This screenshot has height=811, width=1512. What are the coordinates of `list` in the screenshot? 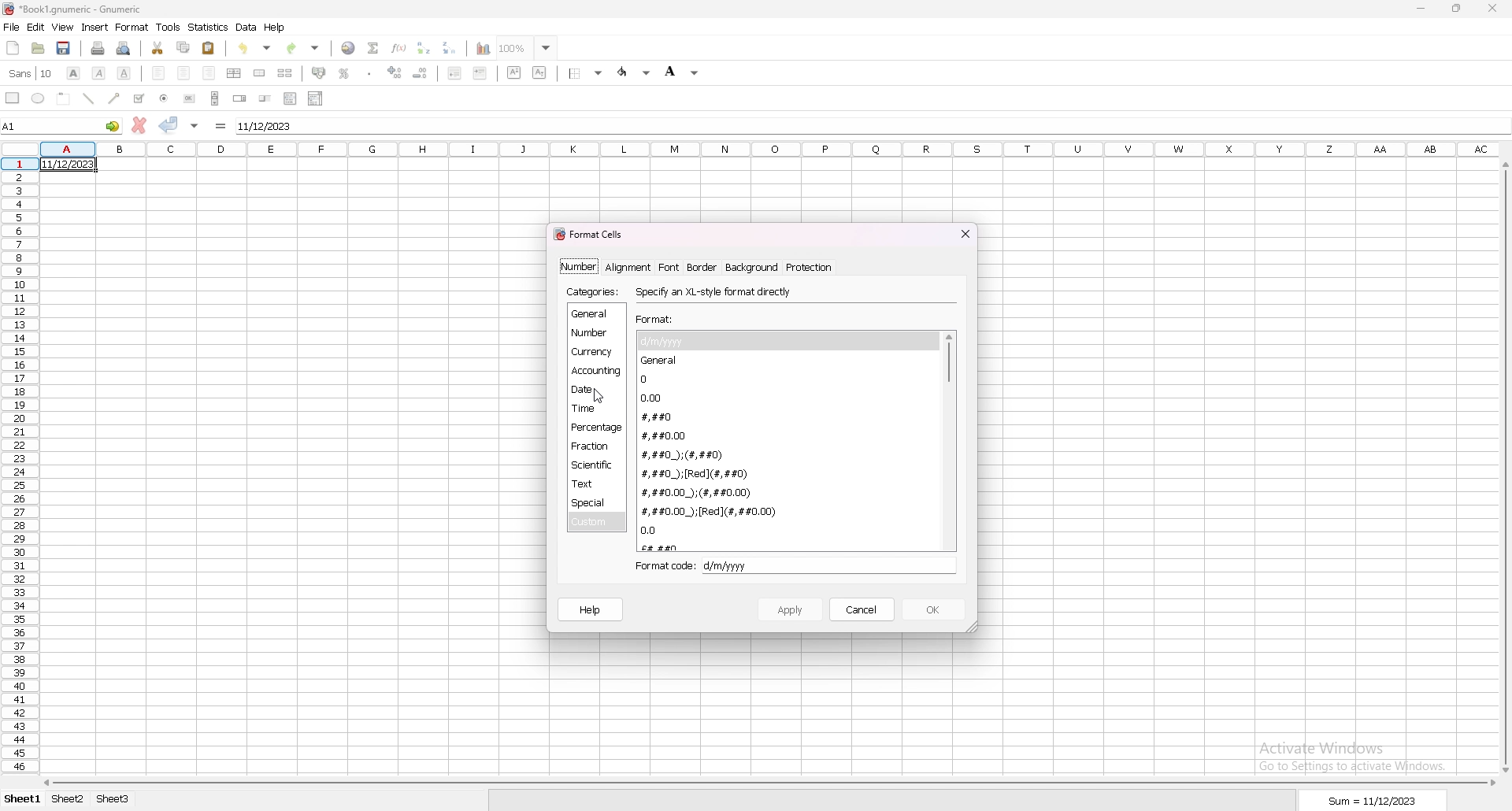 It's located at (291, 99).